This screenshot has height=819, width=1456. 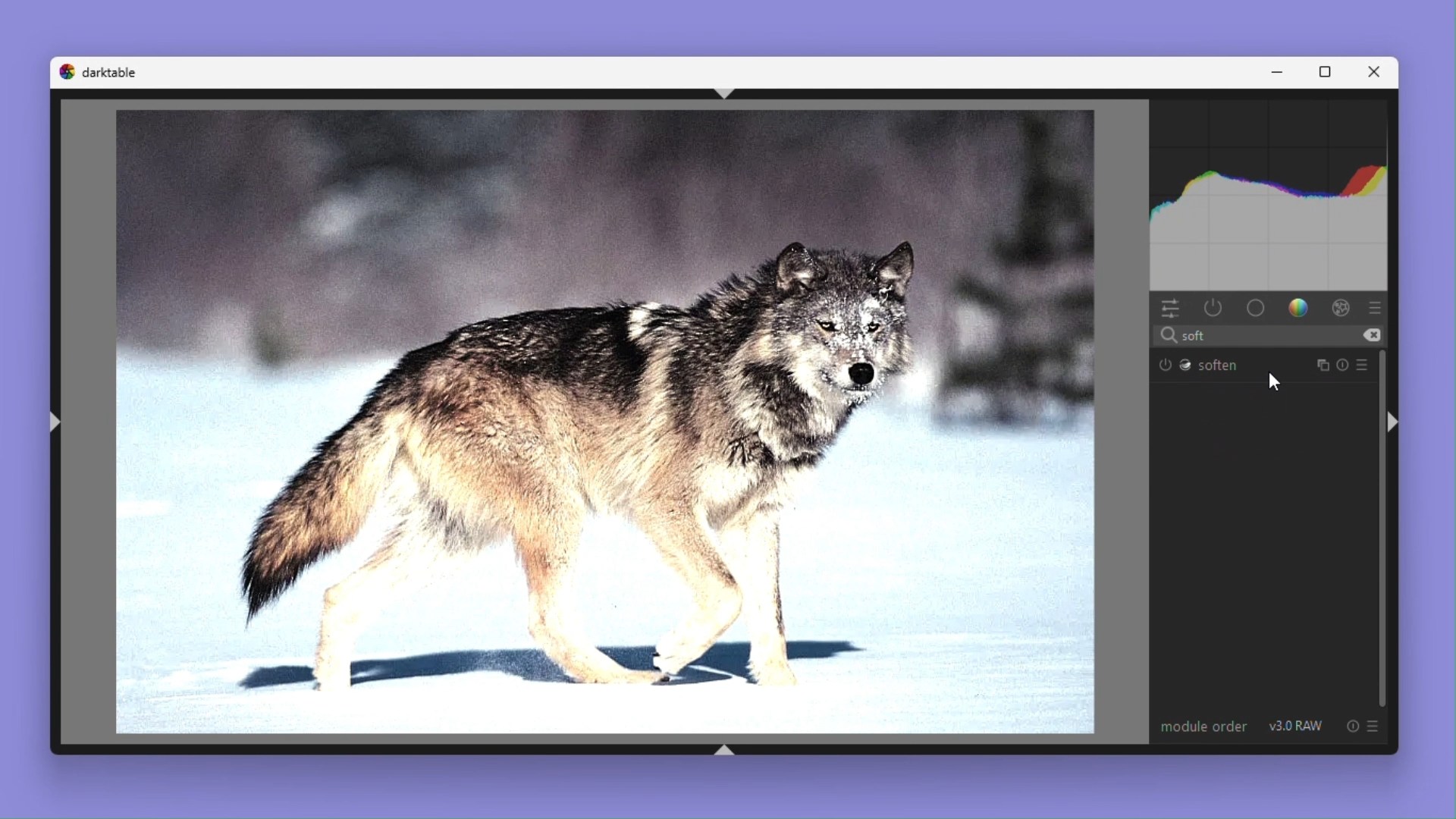 What do you see at coordinates (1257, 309) in the screenshot?
I see `Base` at bounding box center [1257, 309].